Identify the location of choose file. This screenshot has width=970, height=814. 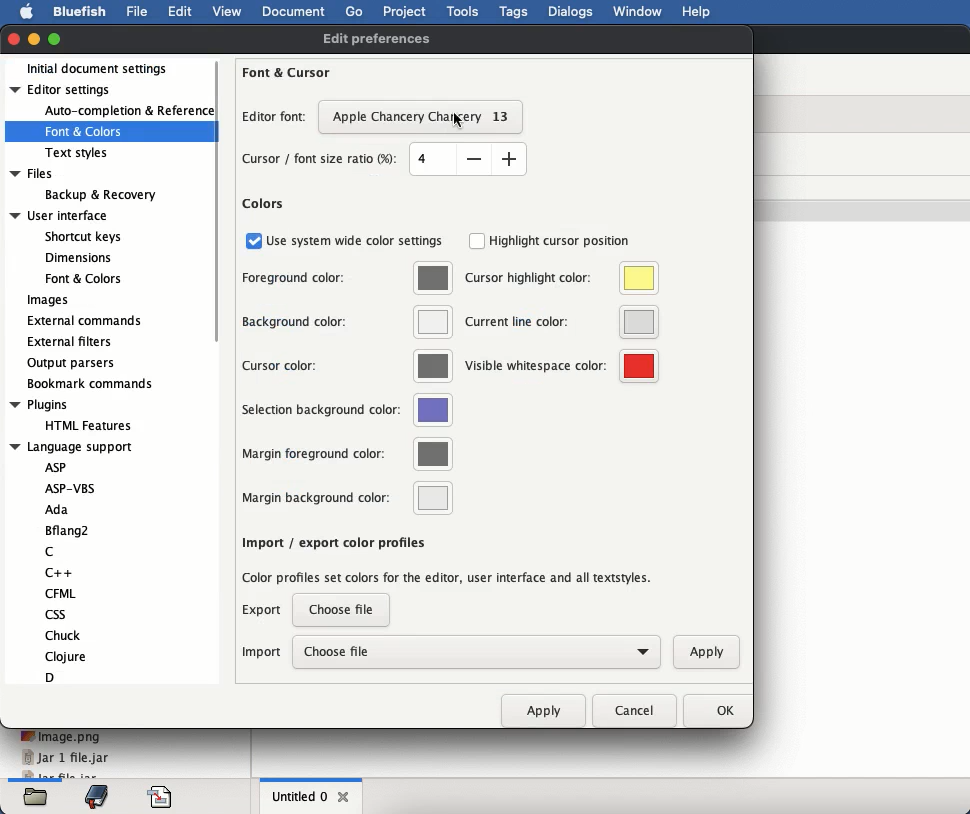
(344, 610).